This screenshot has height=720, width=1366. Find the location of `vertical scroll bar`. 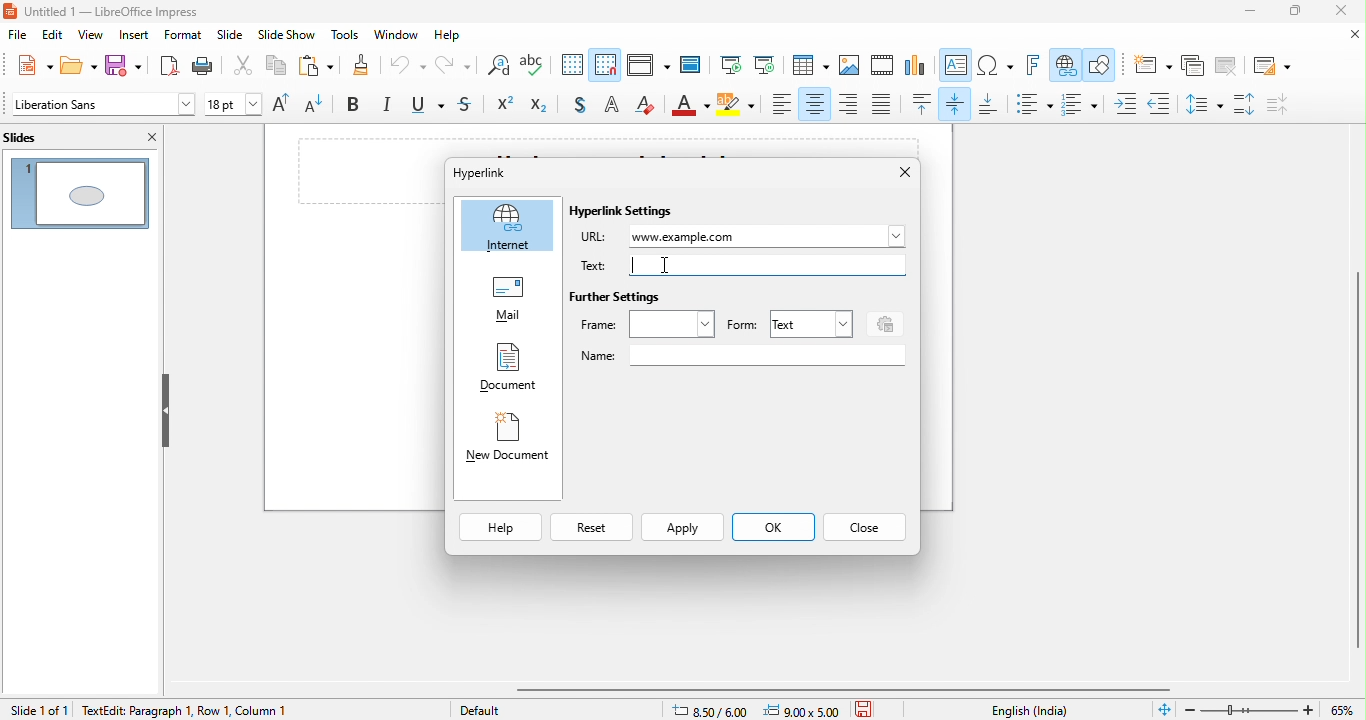

vertical scroll bar is located at coordinates (1355, 448).